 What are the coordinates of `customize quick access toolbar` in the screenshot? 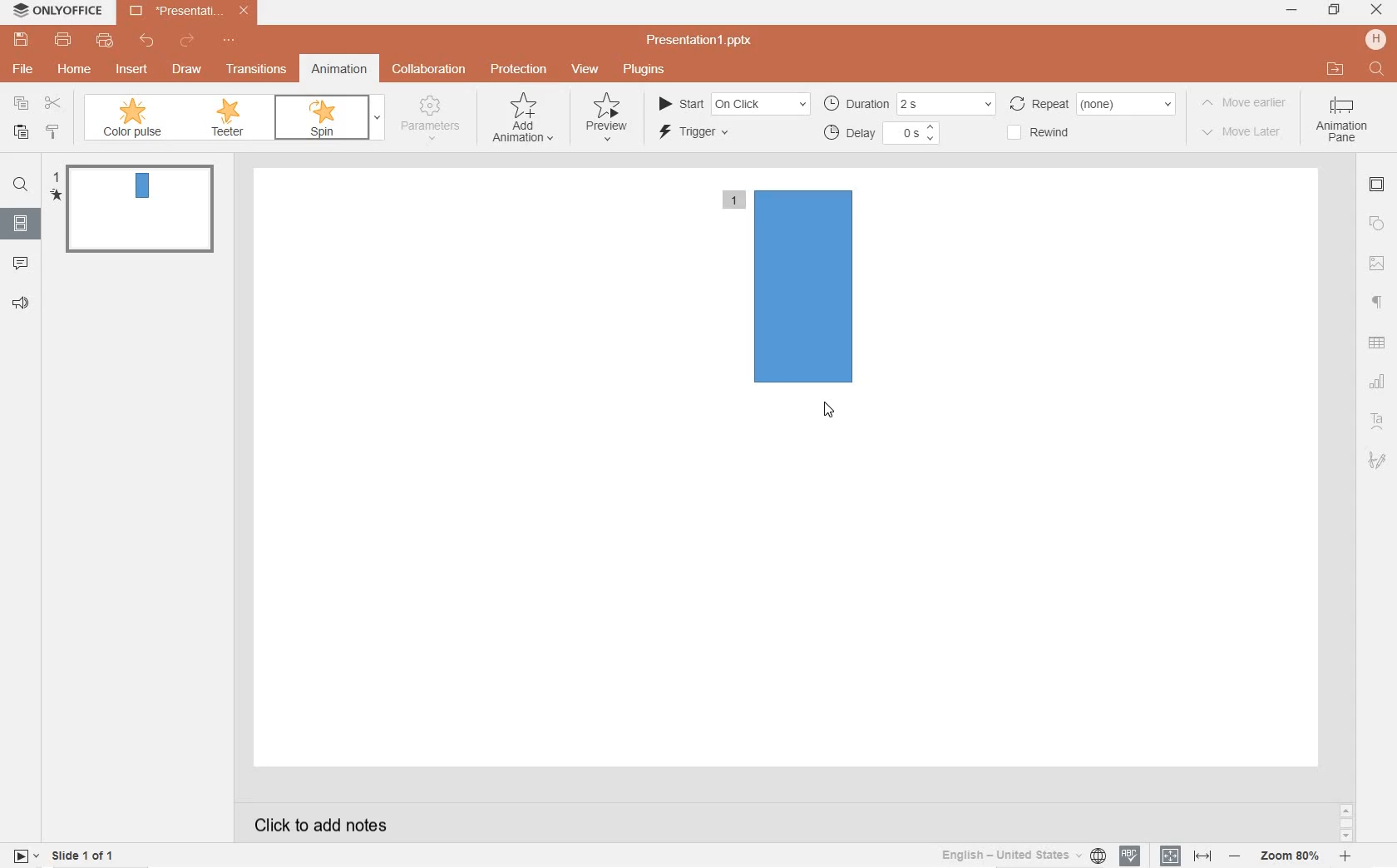 It's located at (233, 42).